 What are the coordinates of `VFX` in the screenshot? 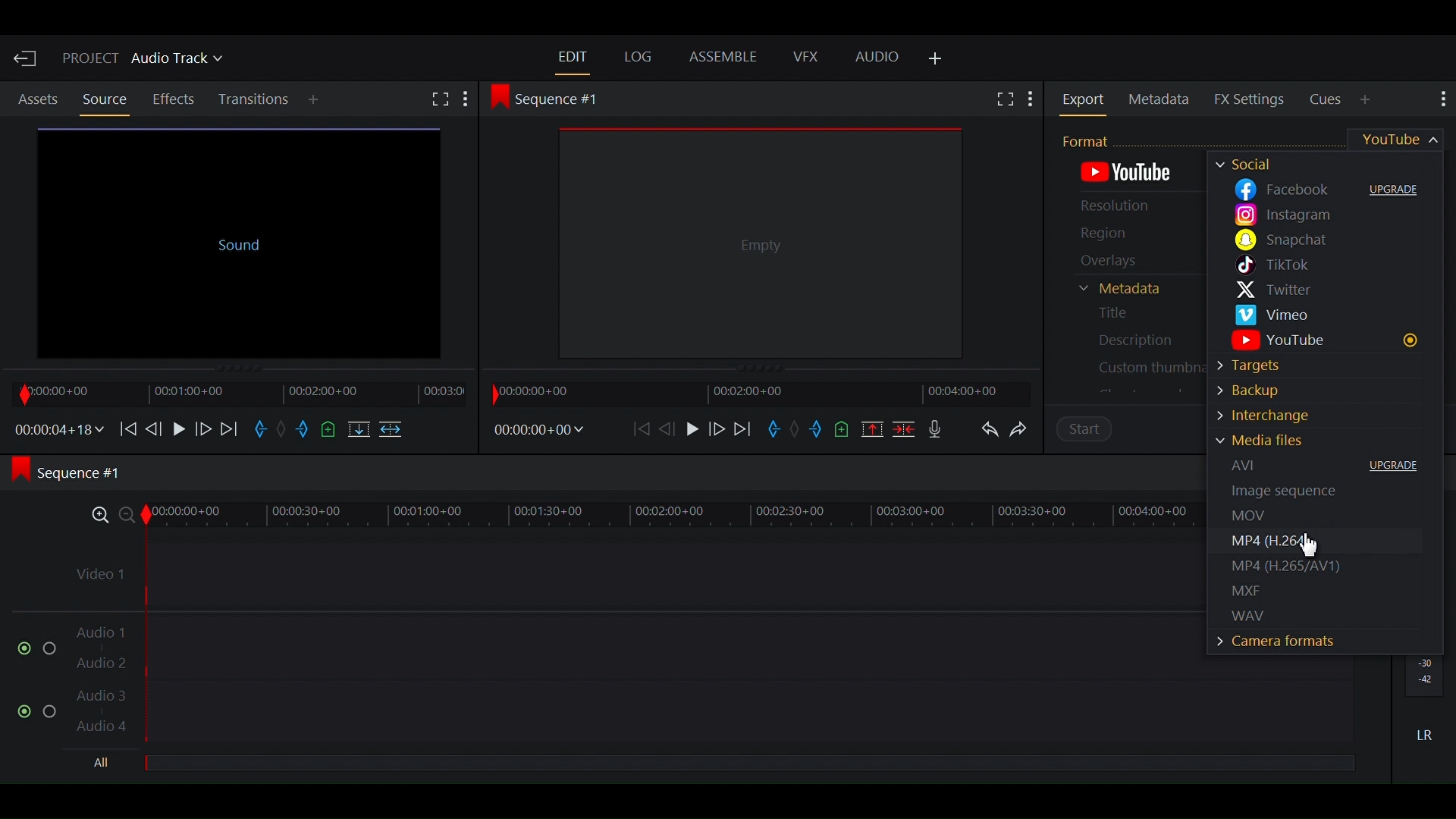 It's located at (805, 57).